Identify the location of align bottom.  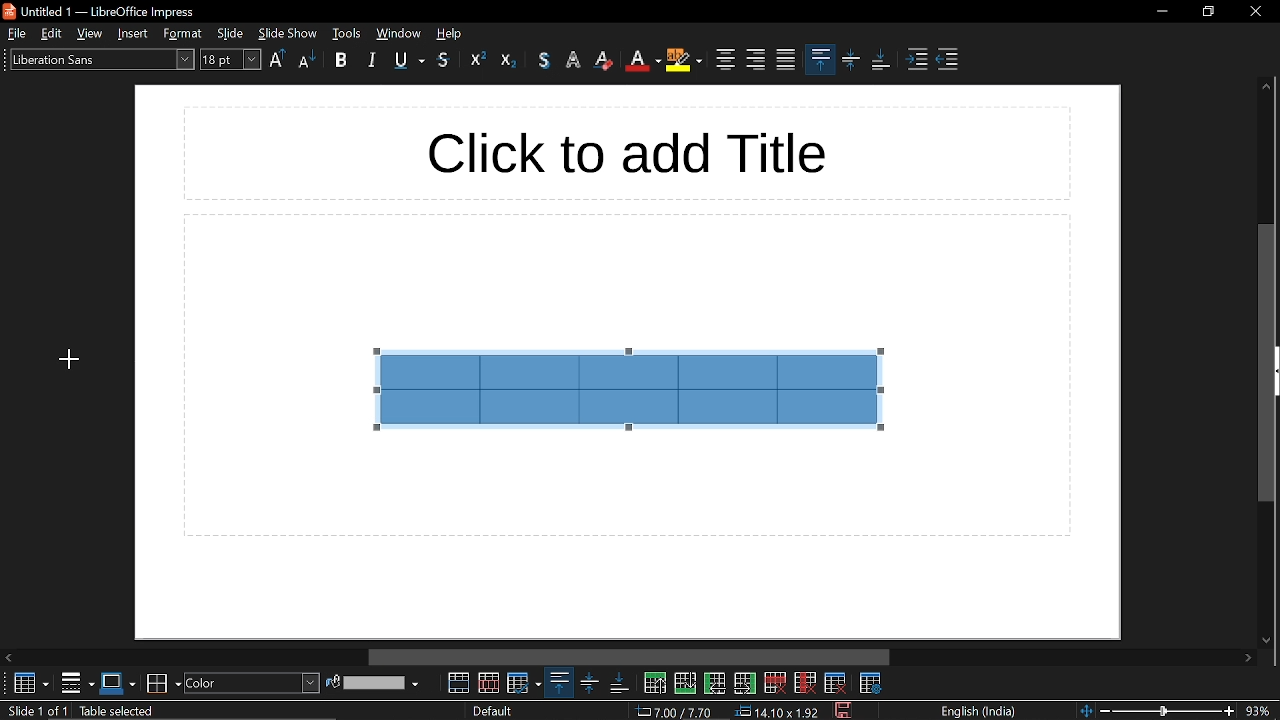
(616, 683).